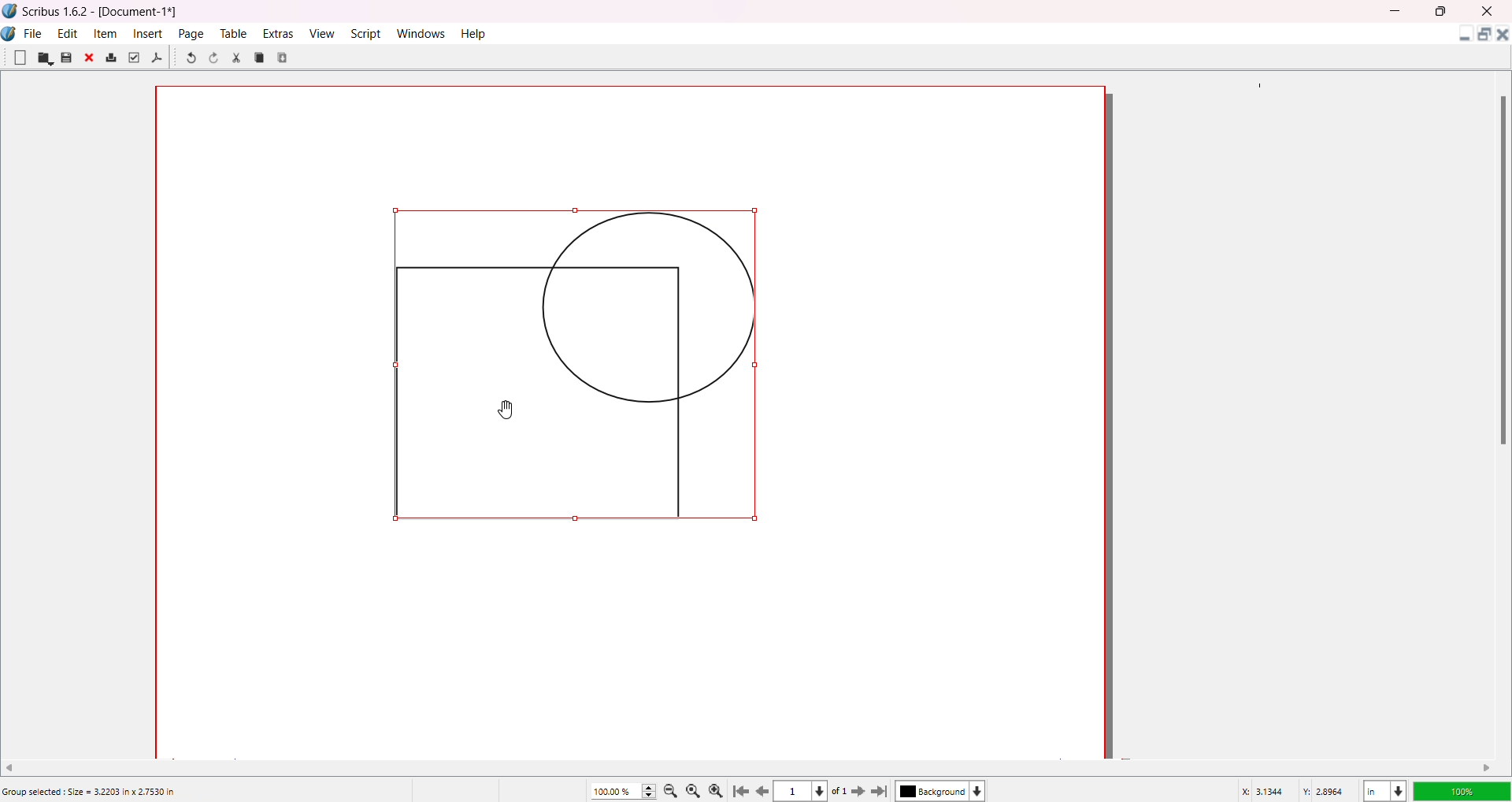  Describe the element at coordinates (150, 33) in the screenshot. I see `Insert` at that location.